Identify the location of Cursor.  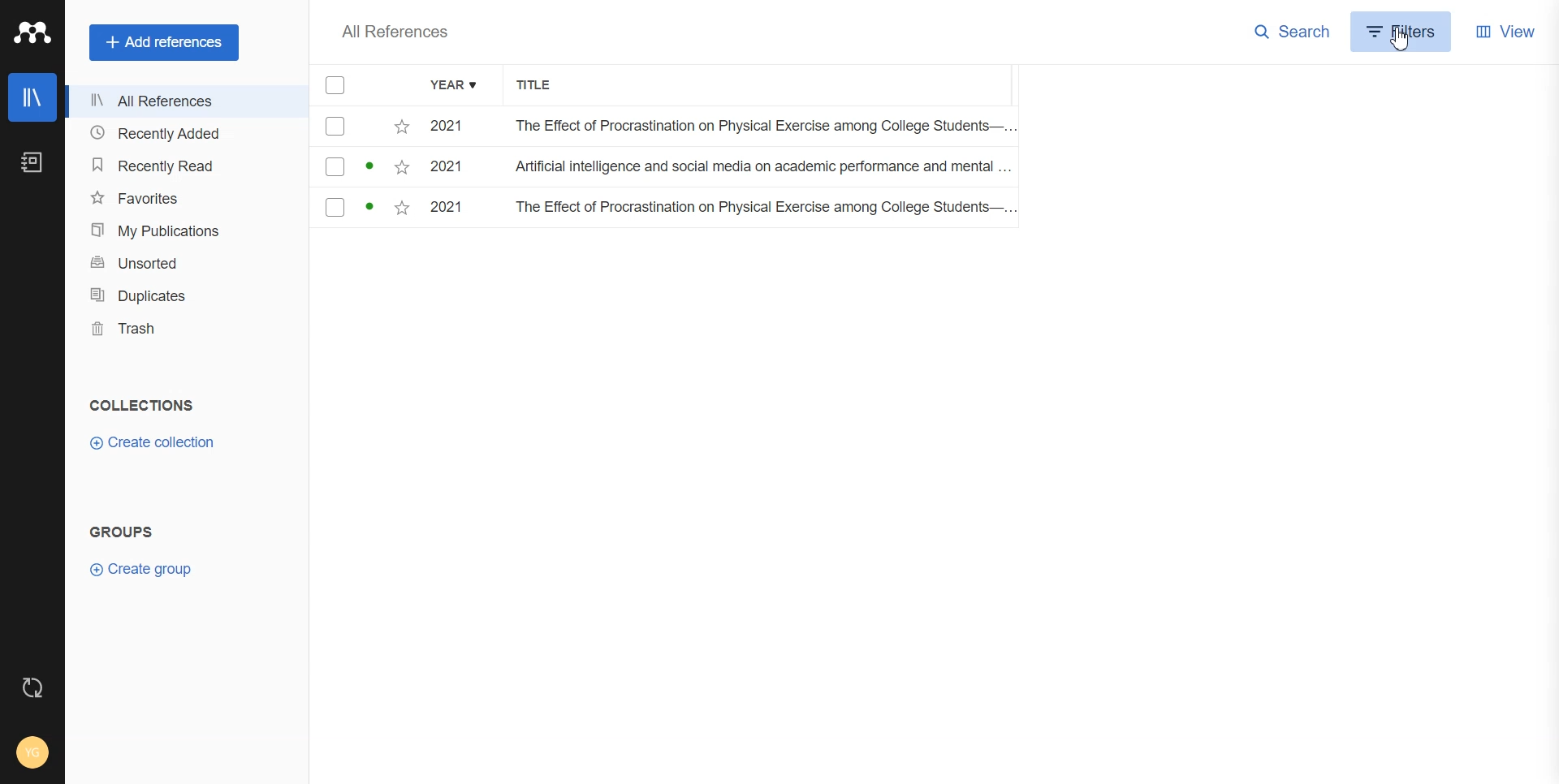
(1399, 41).